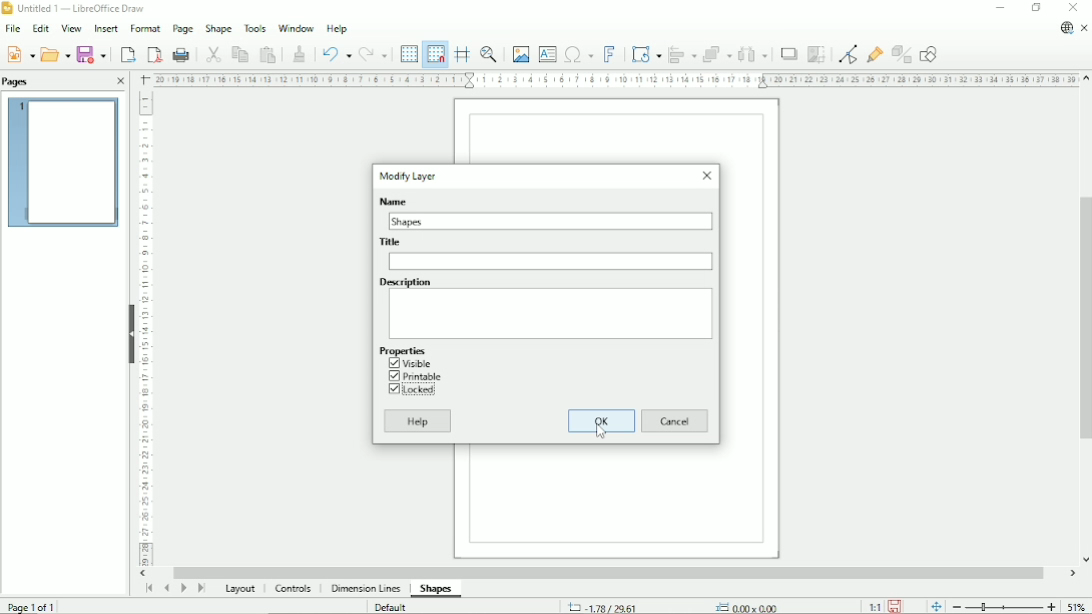  I want to click on Arrange, so click(718, 54).